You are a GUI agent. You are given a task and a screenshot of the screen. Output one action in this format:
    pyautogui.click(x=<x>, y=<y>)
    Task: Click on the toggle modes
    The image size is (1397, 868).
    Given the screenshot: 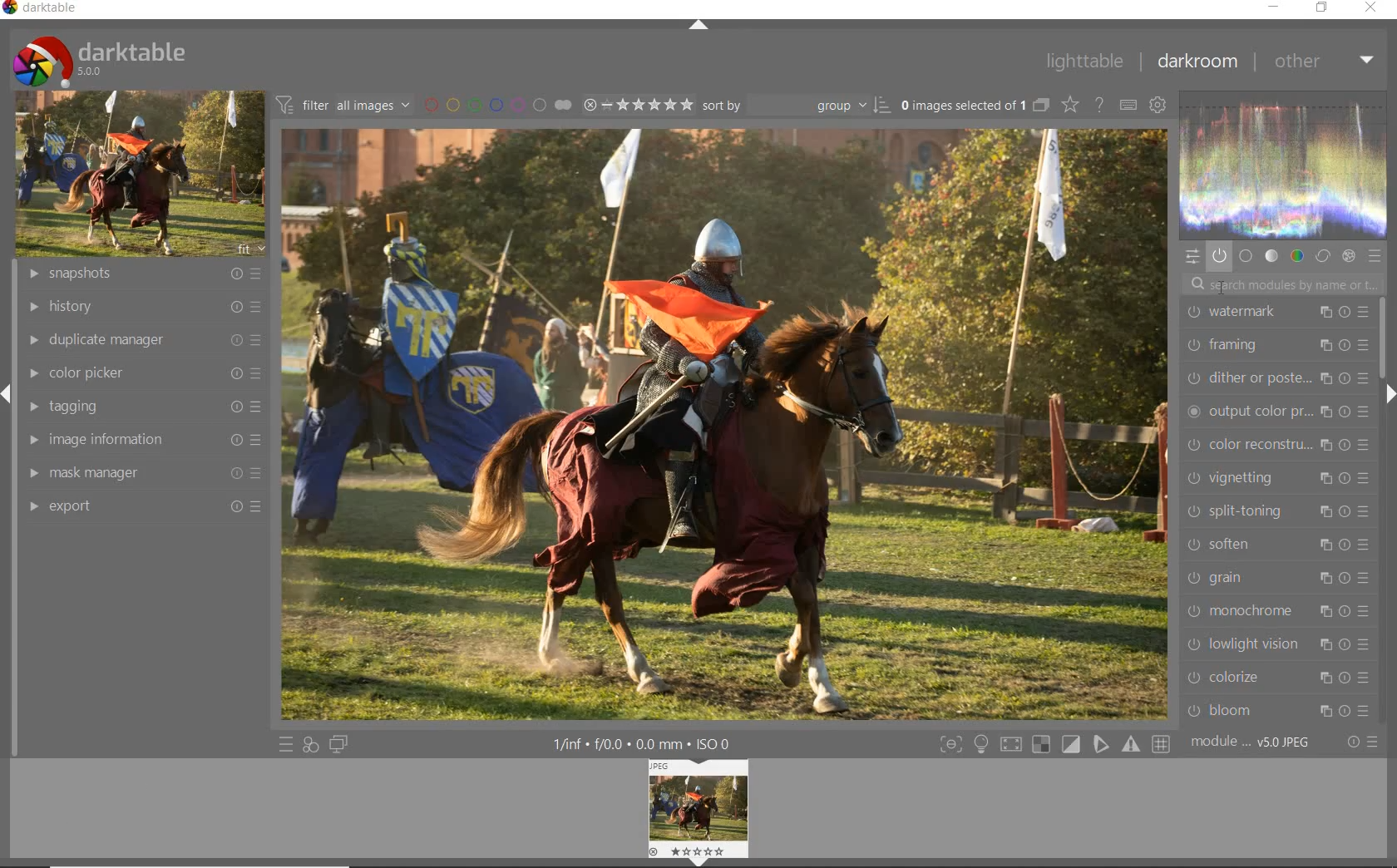 What is the action you would take?
    pyautogui.click(x=1051, y=744)
    